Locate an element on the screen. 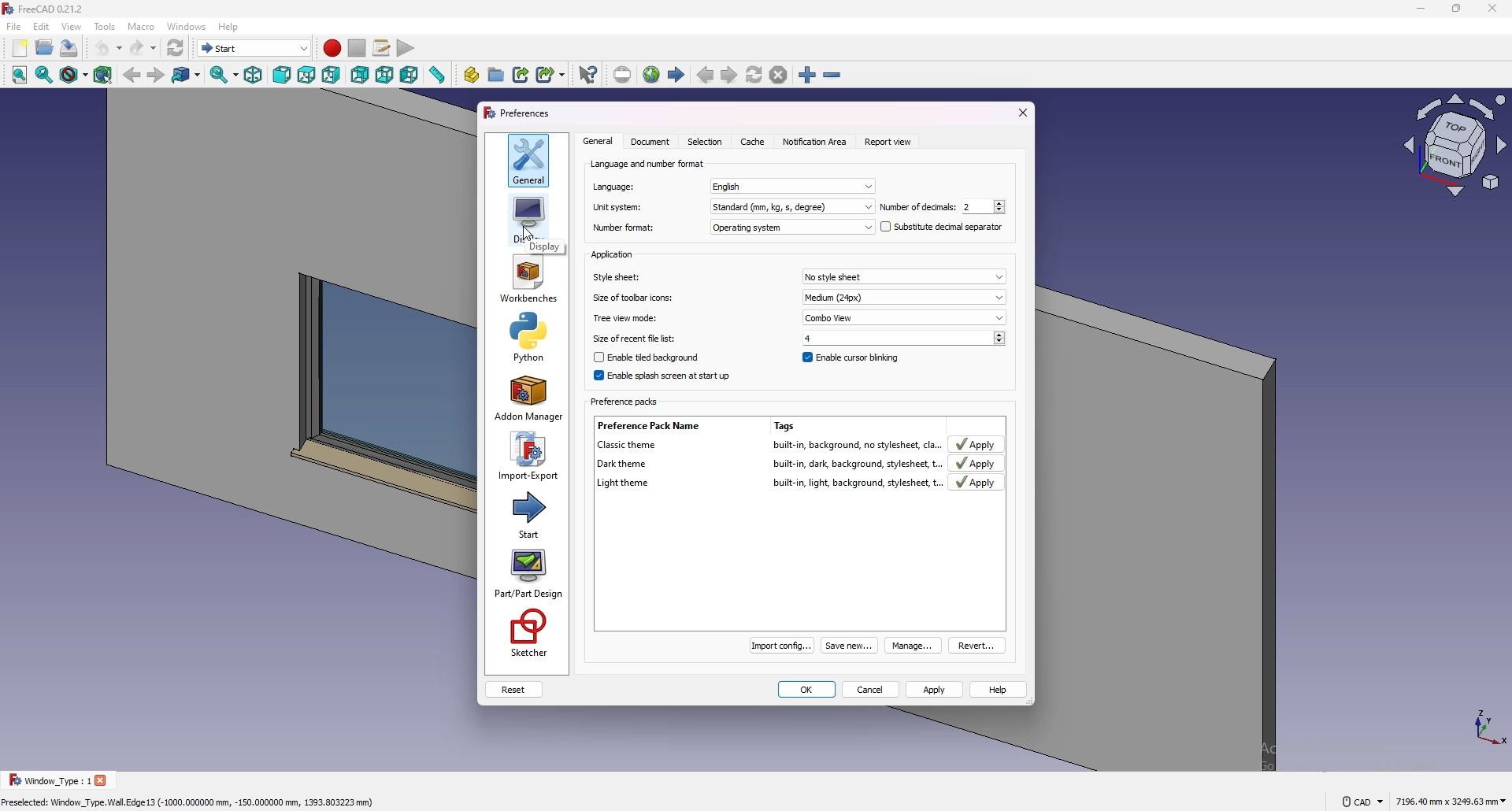 This screenshot has width=1512, height=811. start is located at coordinates (530, 513).